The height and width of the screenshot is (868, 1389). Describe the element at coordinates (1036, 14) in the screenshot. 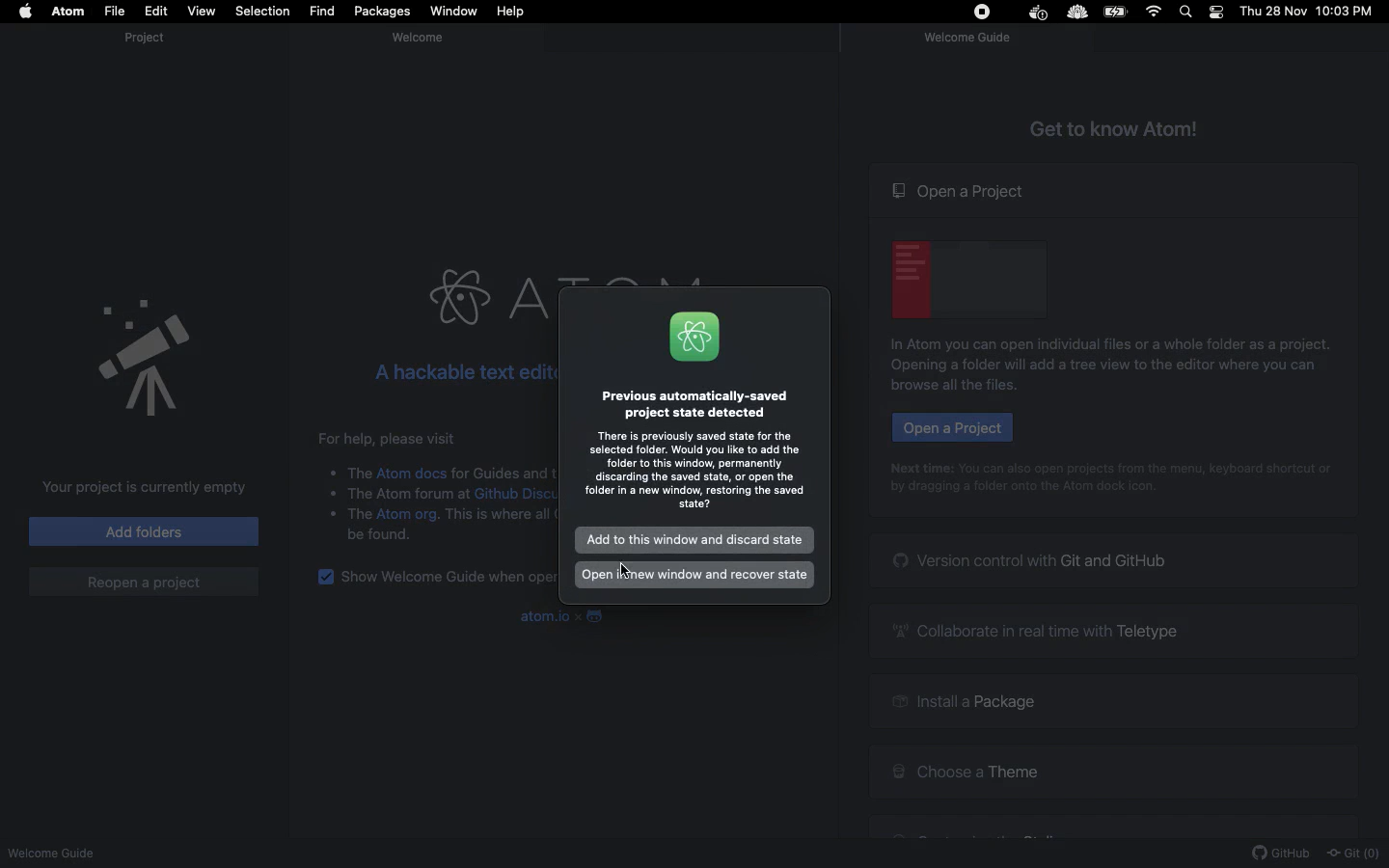

I see `Docker` at that location.